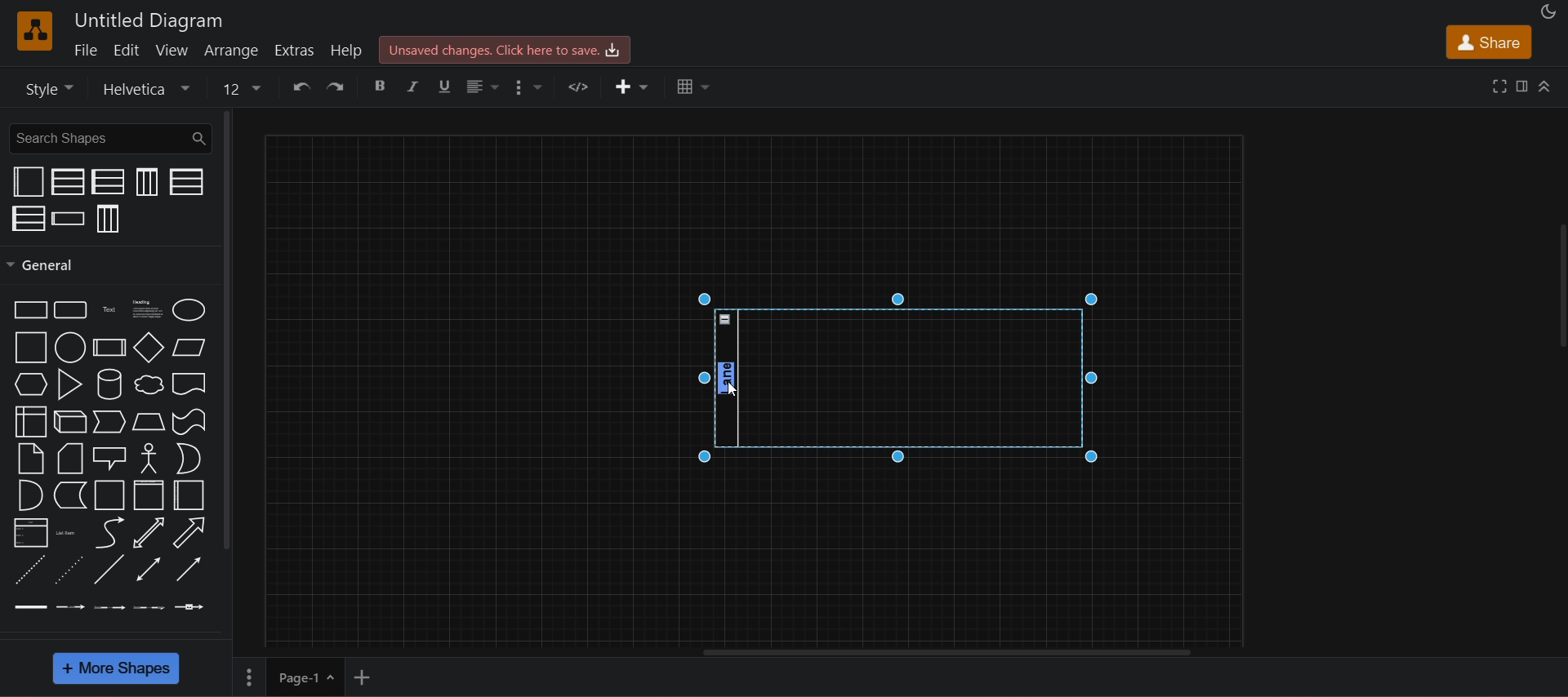  Describe the element at coordinates (29, 495) in the screenshot. I see `and` at that location.